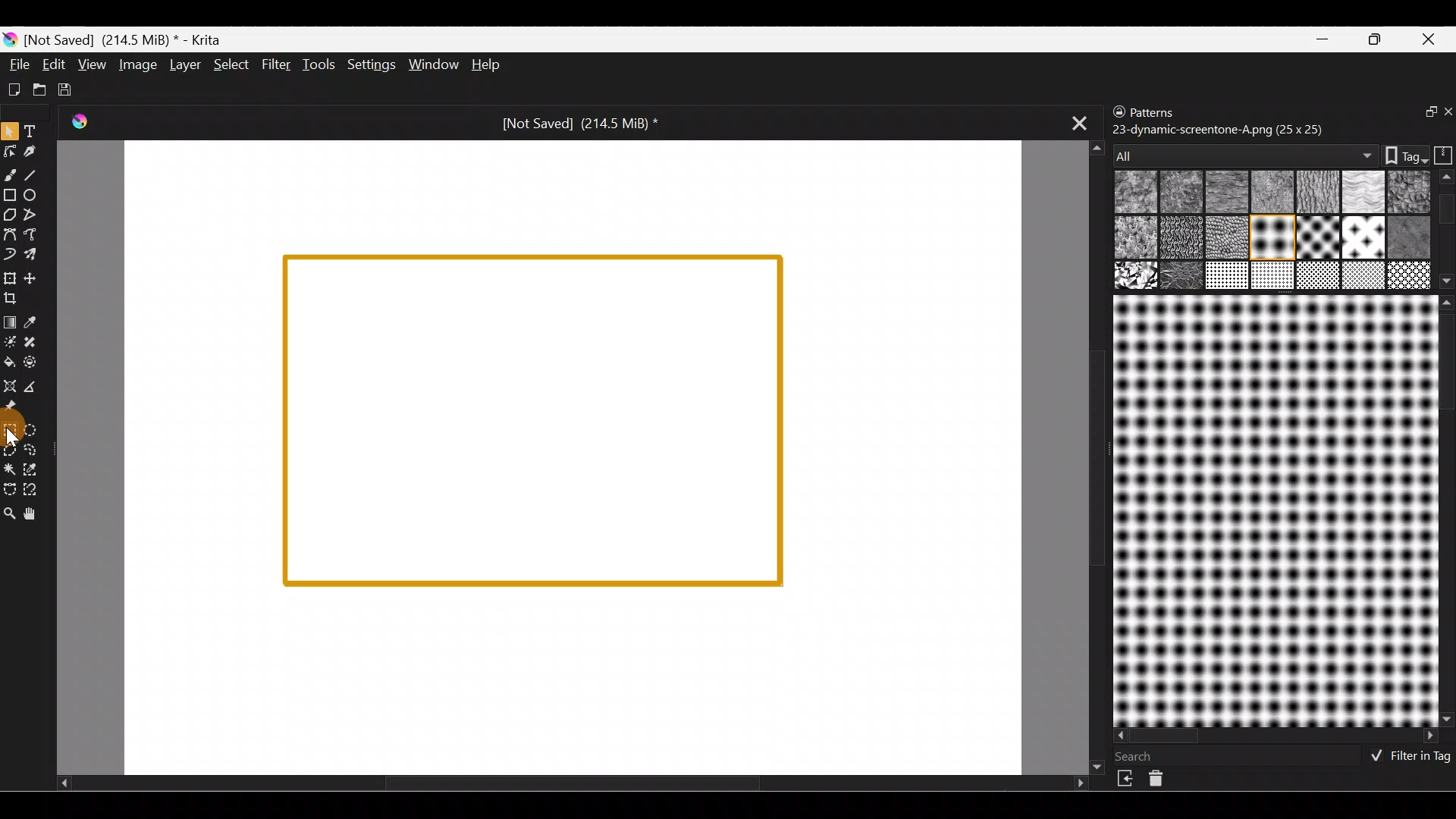 The width and height of the screenshot is (1456, 819). Describe the element at coordinates (1090, 455) in the screenshot. I see `Scroll tab` at that location.